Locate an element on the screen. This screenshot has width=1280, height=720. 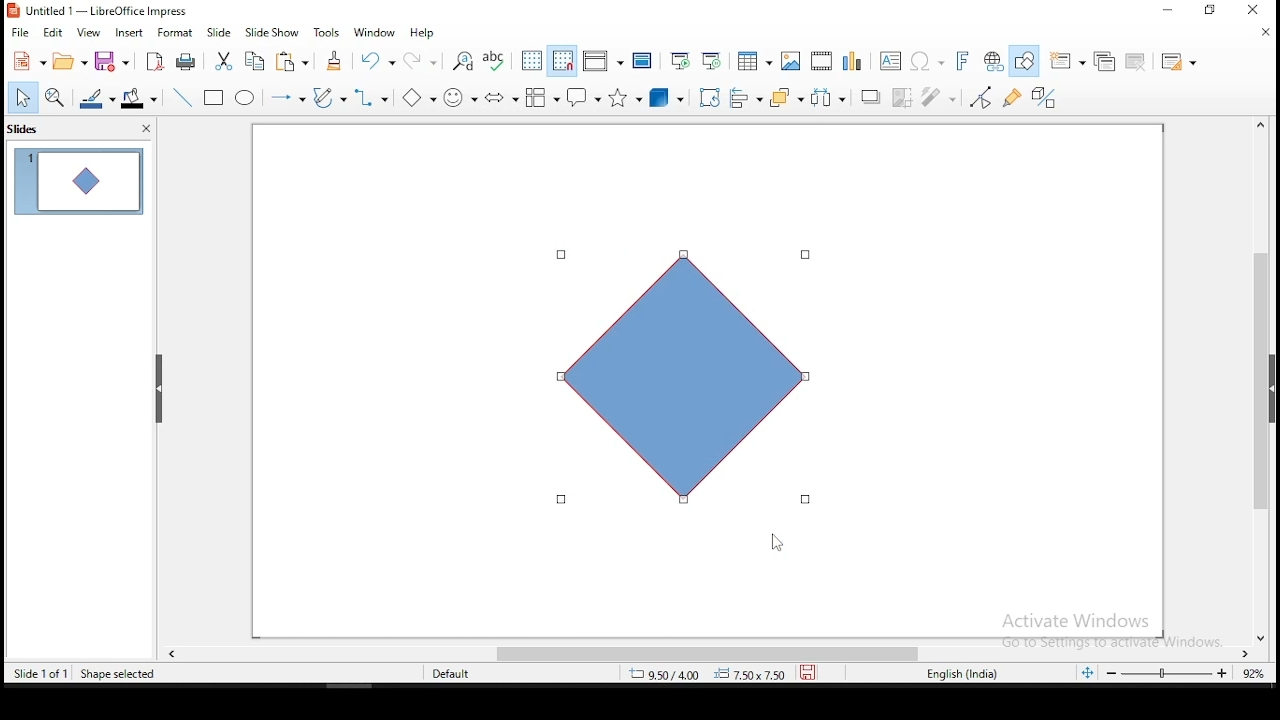
92% is located at coordinates (1258, 673).